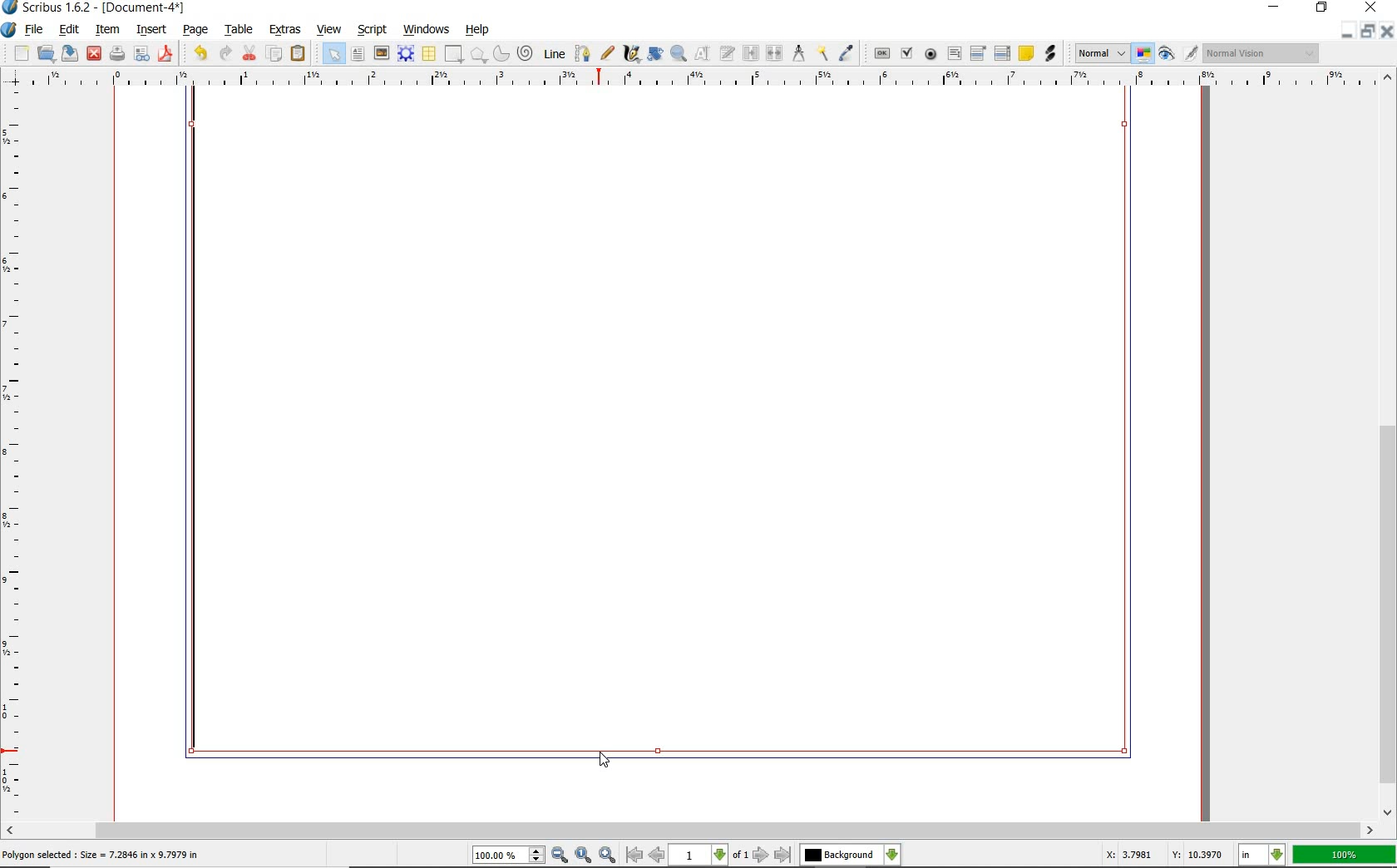 The image size is (1397, 868). Describe the element at coordinates (70, 29) in the screenshot. I see `edit` at that location.